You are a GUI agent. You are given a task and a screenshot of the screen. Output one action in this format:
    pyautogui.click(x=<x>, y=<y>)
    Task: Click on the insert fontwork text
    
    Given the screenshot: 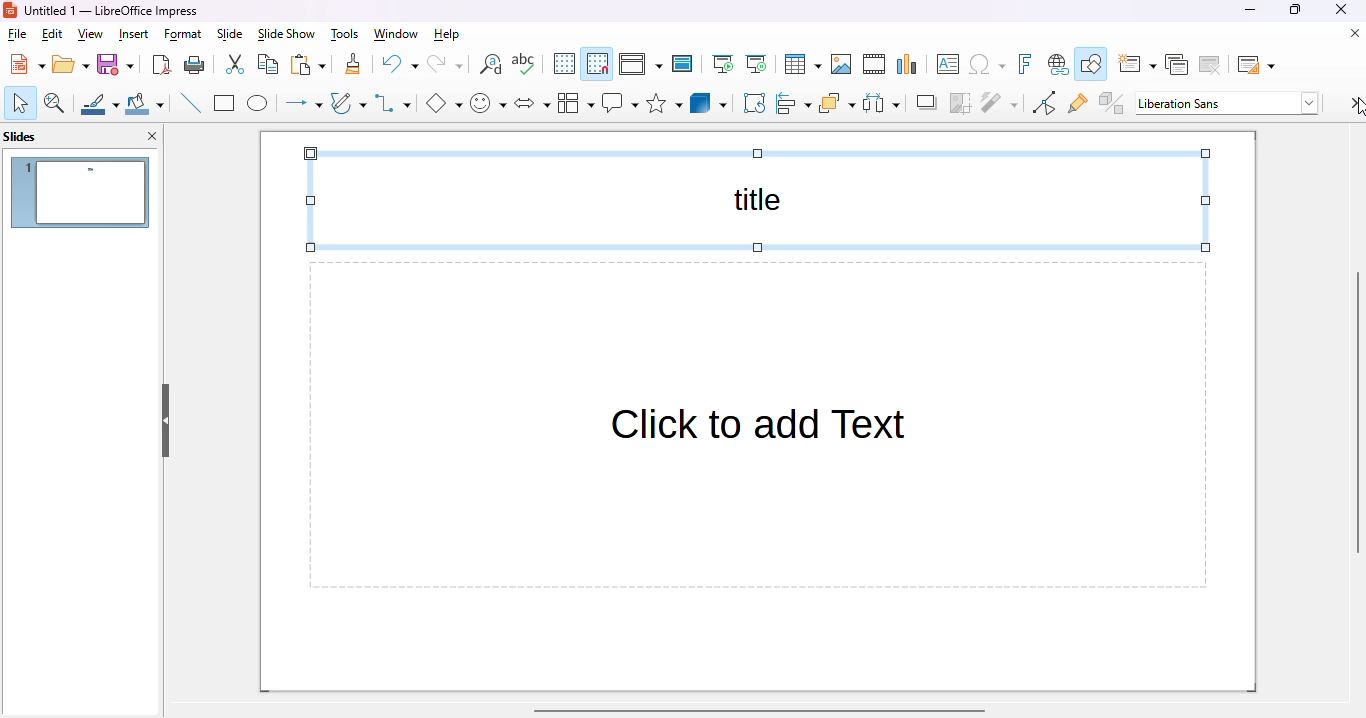 What is the action you would take?
    pyautogui.click(x=1026, y=63)
    